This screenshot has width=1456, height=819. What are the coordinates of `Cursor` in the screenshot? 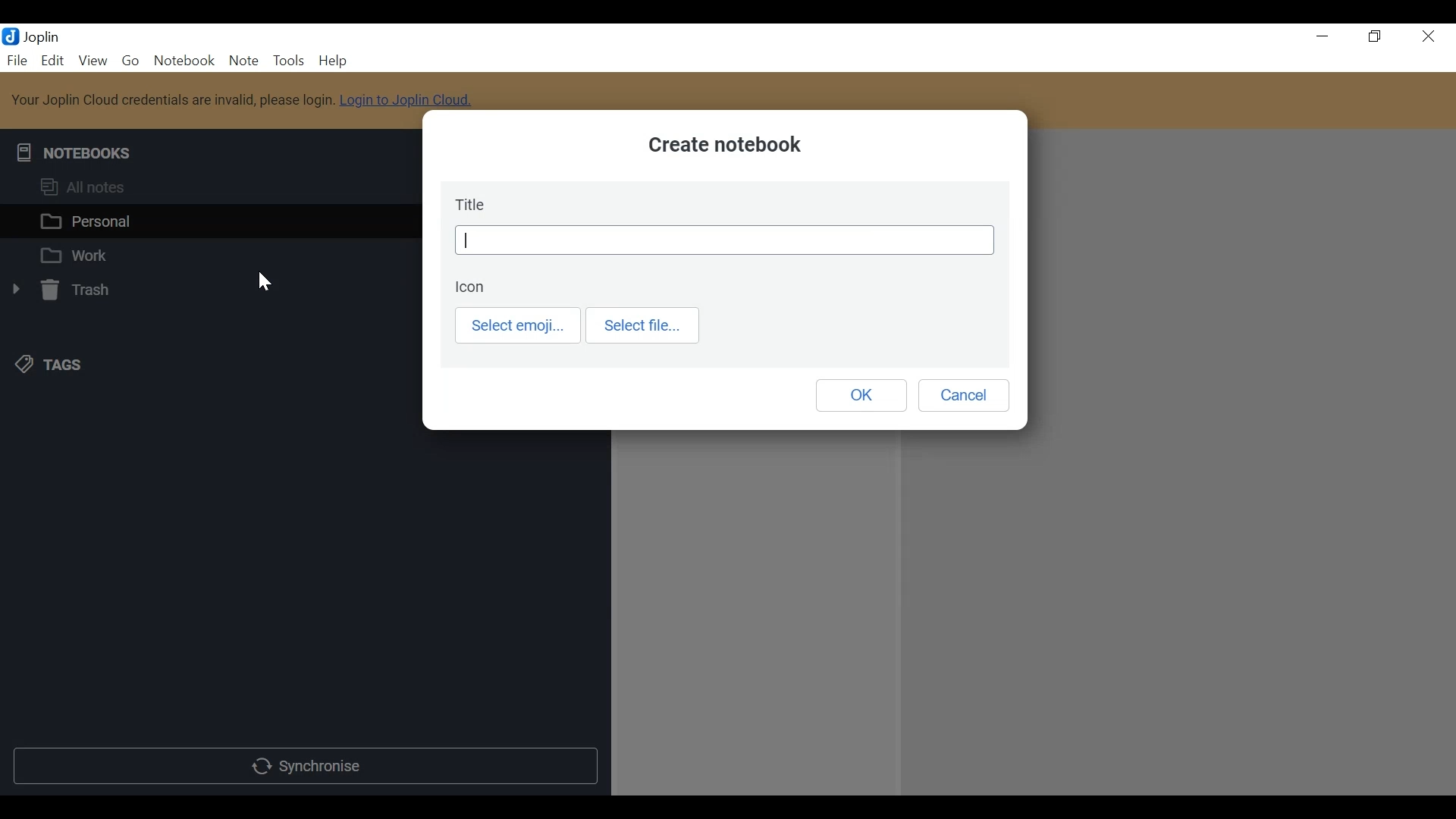 It's located at (264, 285).